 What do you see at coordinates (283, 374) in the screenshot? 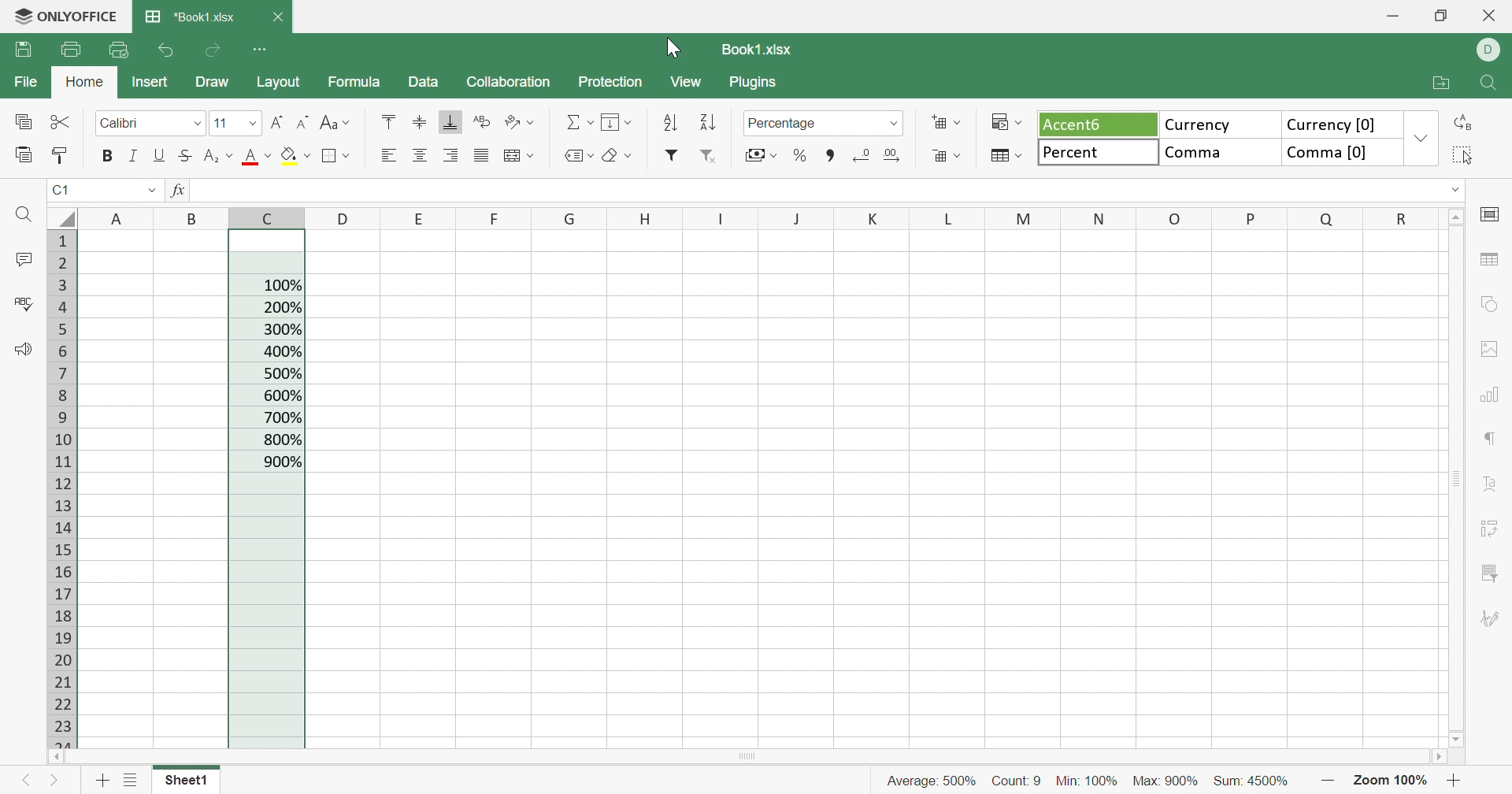
I see `500%` at bounding box center [283, 374].